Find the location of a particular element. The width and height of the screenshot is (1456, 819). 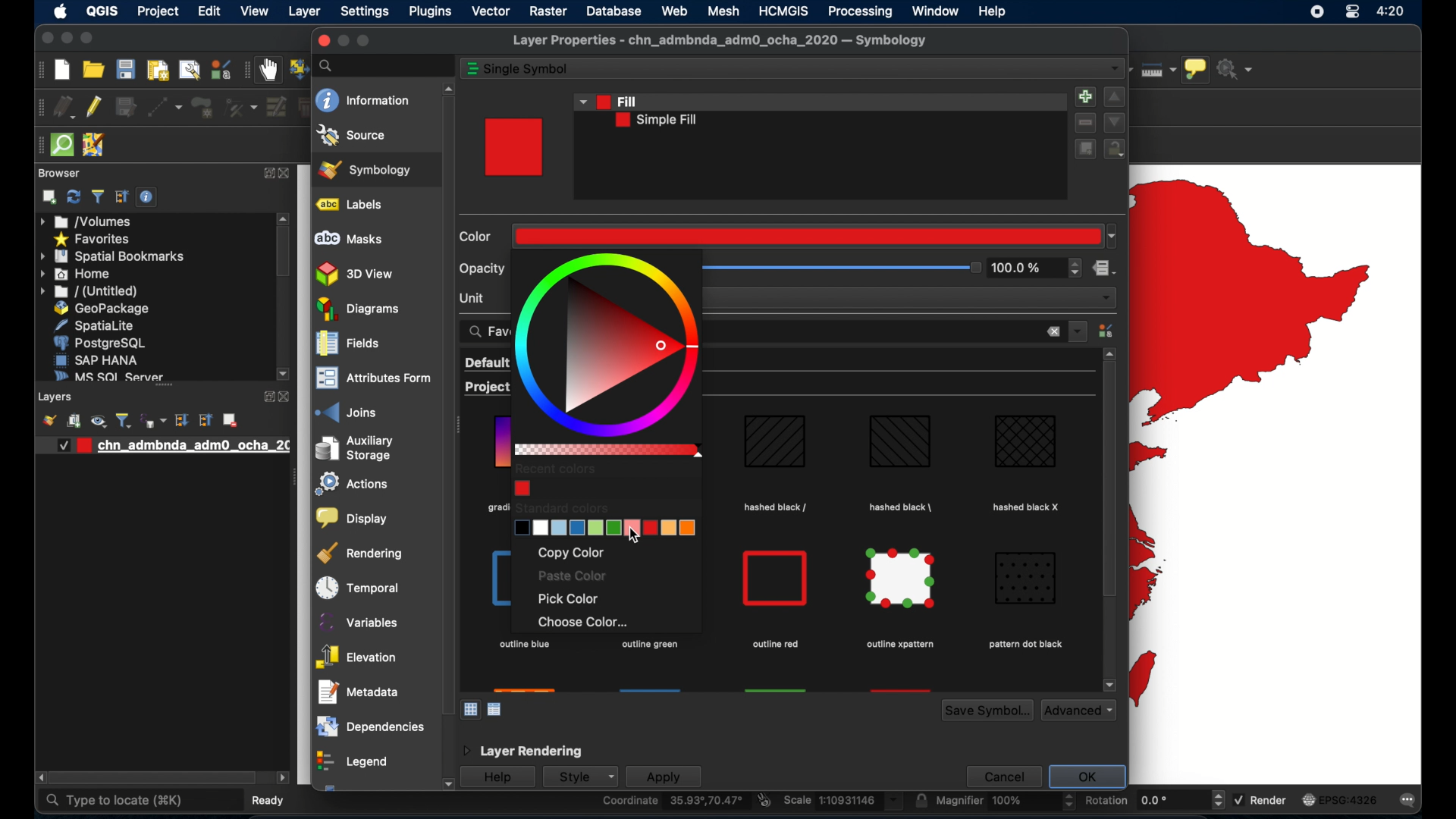

remove layer/group is located at coordinates (230, 420).